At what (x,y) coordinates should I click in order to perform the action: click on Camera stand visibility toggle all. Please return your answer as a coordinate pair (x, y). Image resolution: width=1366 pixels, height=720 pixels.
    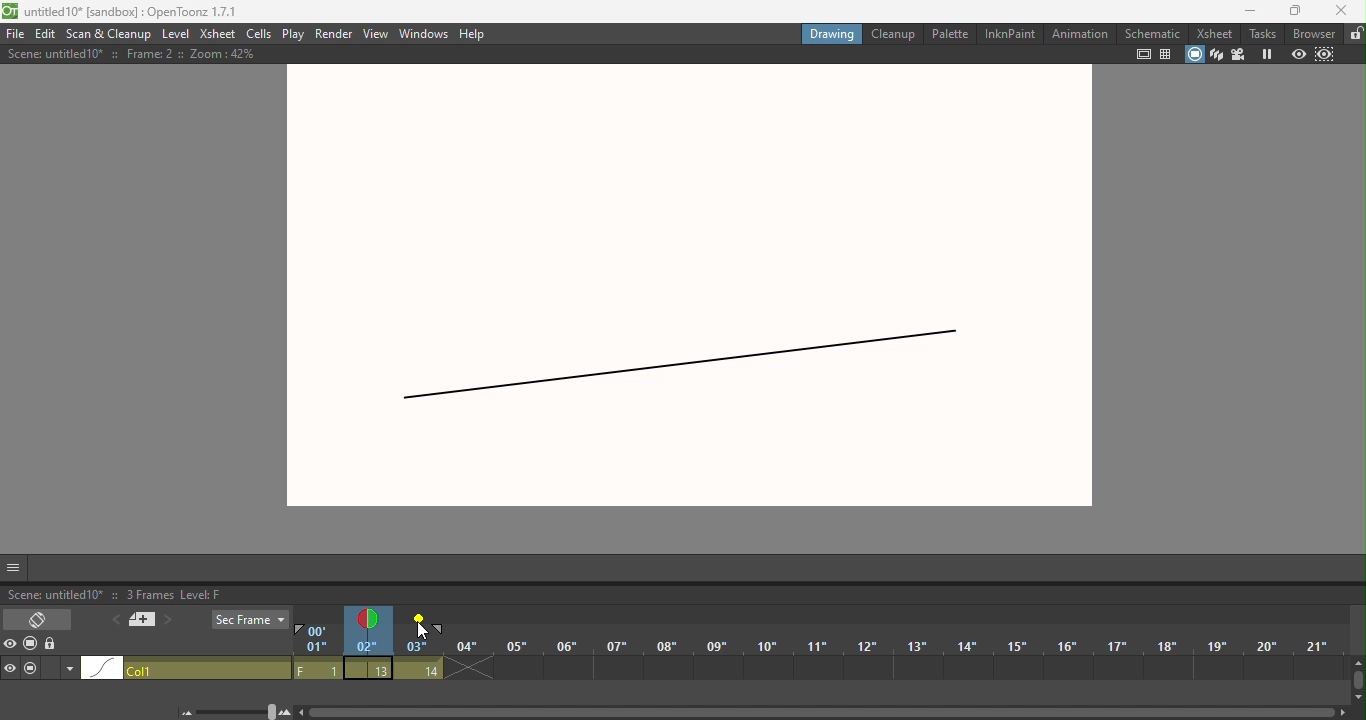
    Looking at the image, I should click on (30, 645).